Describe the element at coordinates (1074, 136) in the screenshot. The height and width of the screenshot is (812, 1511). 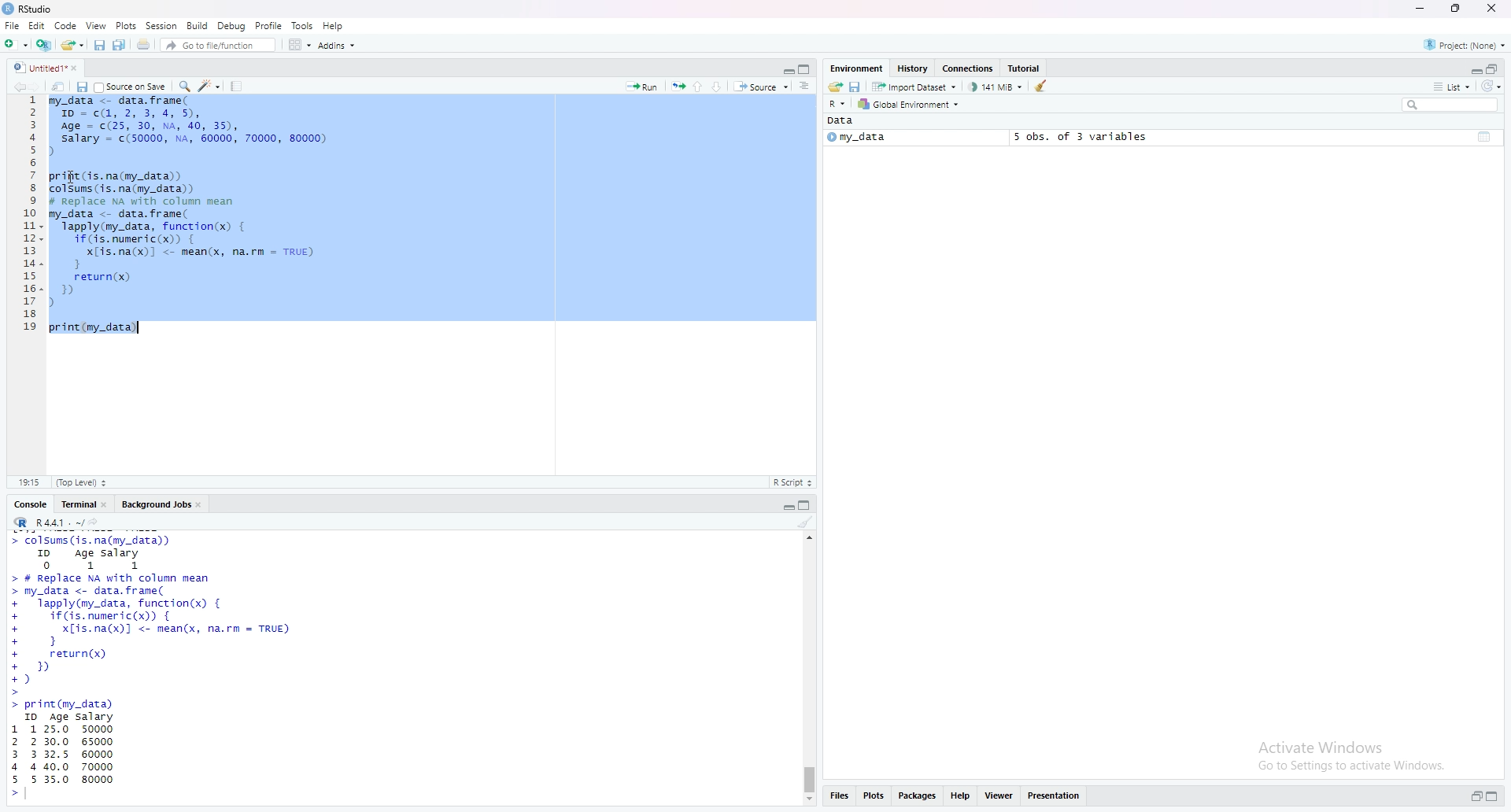
I see `5 obs, of 3 variables` at that location.